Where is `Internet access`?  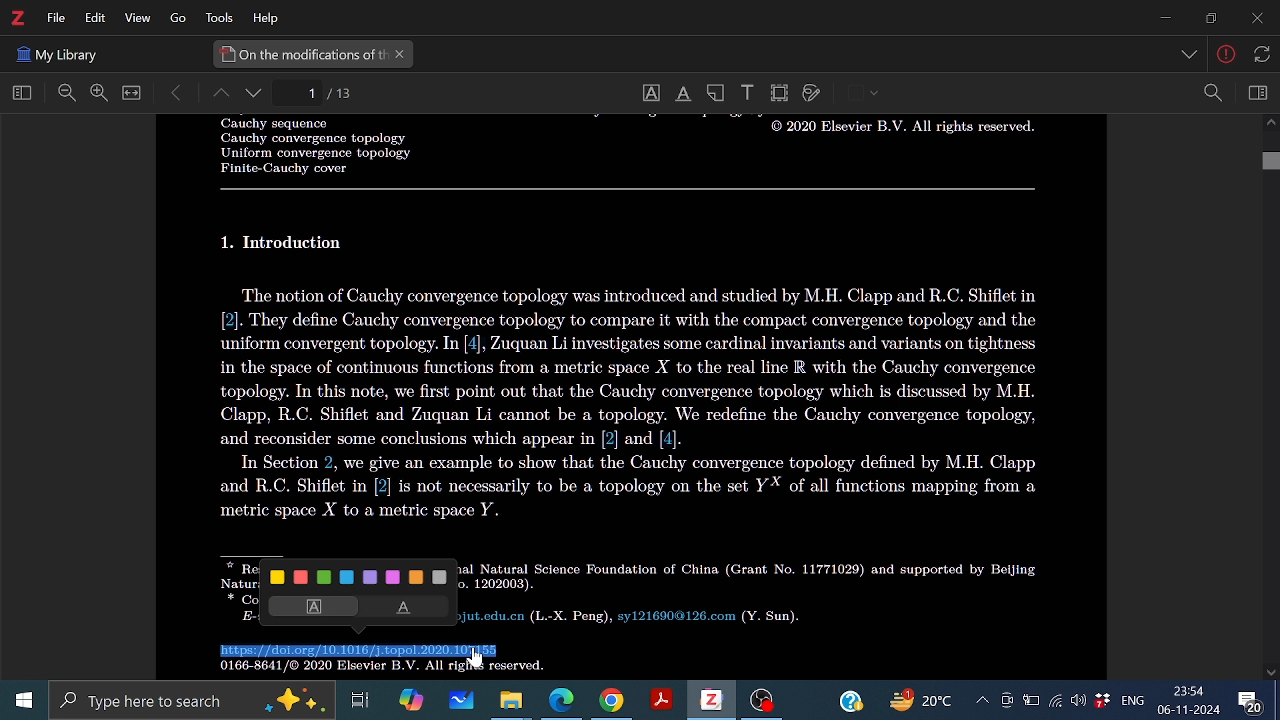
Internet access is located at coordinates (1056, 701).